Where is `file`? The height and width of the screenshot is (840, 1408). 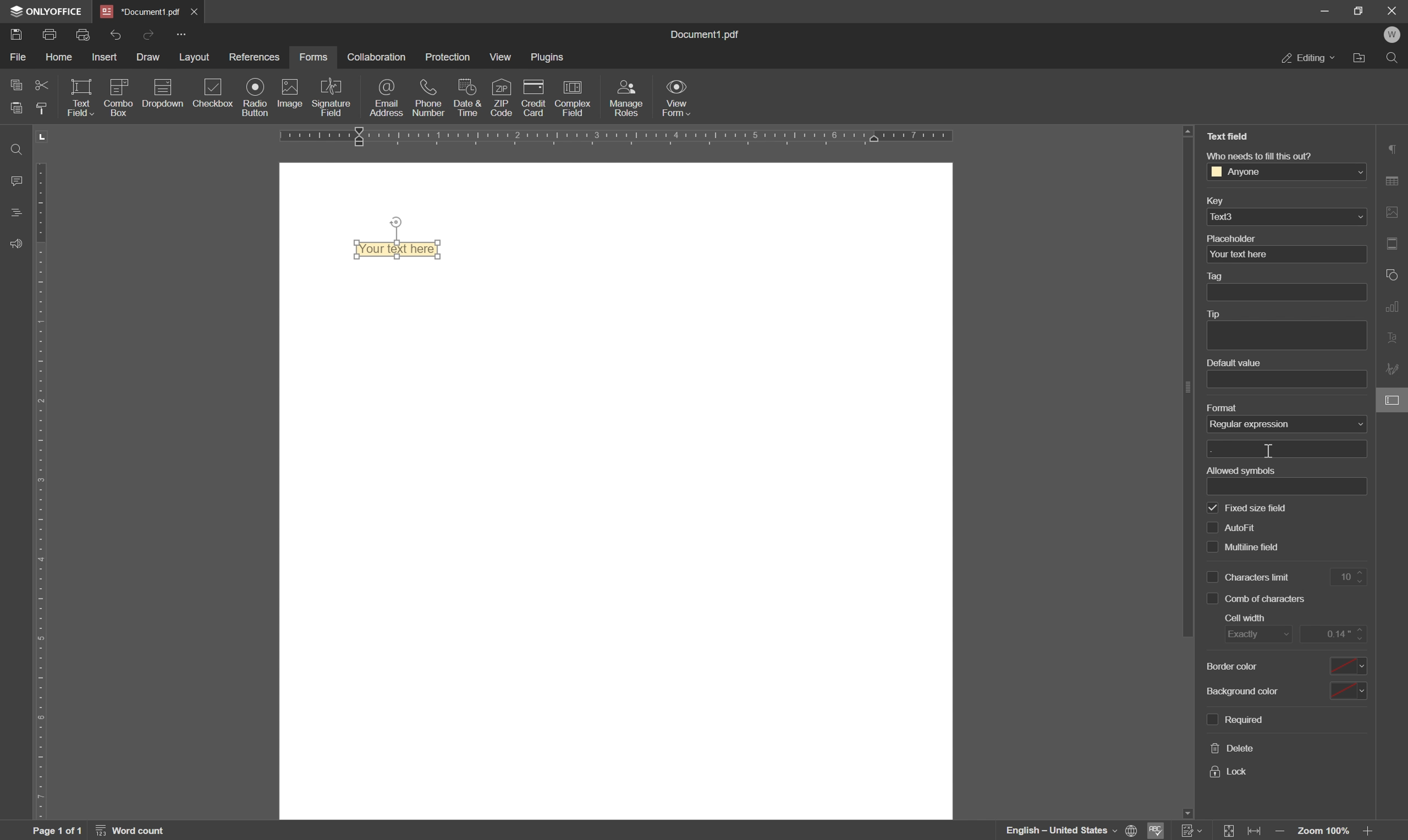
file is located at coordinates (17, 57).